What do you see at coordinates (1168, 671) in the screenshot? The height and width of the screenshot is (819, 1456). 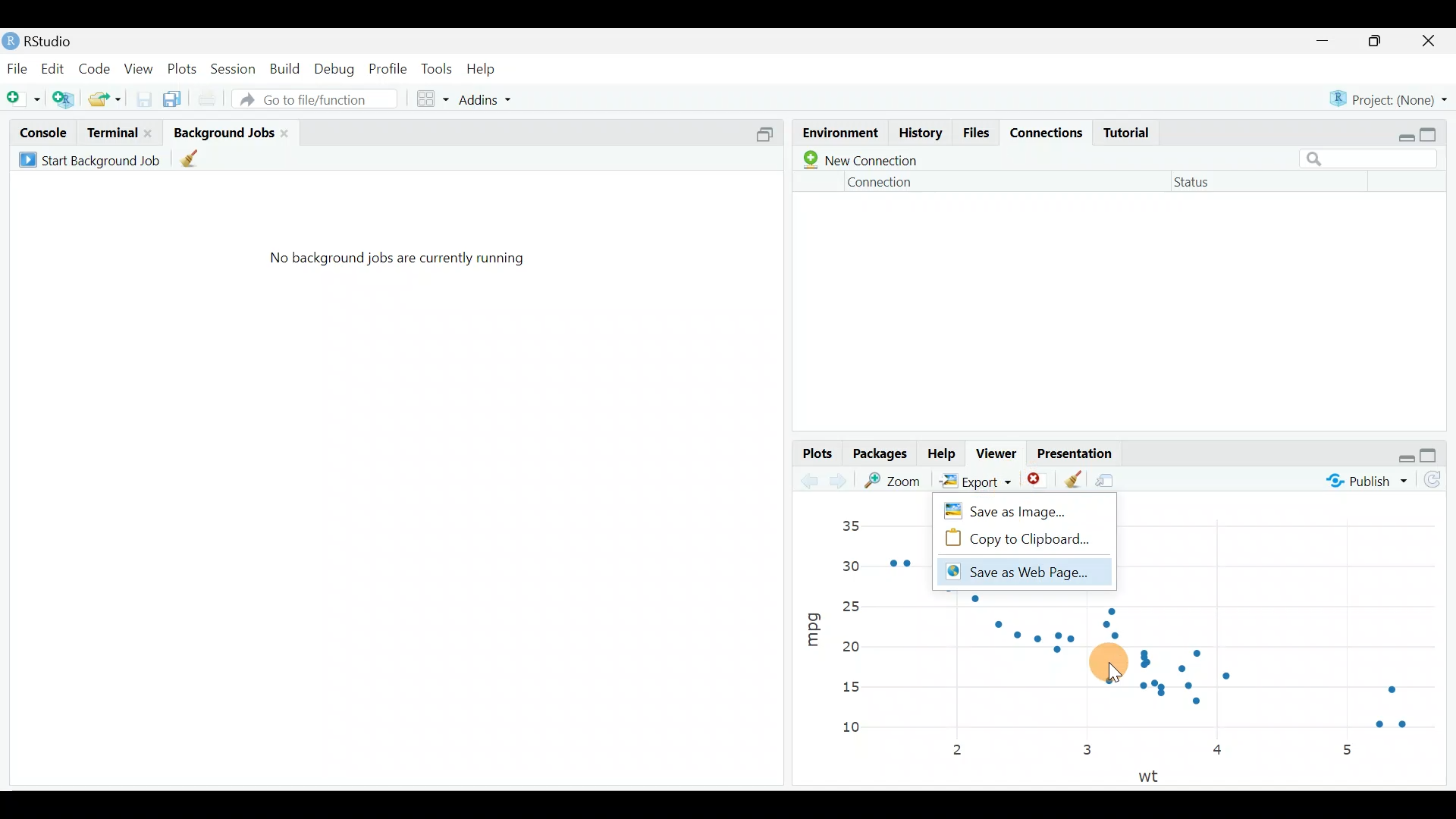 I see `Scatter Plot chart` at bounding box center [1168, 671].